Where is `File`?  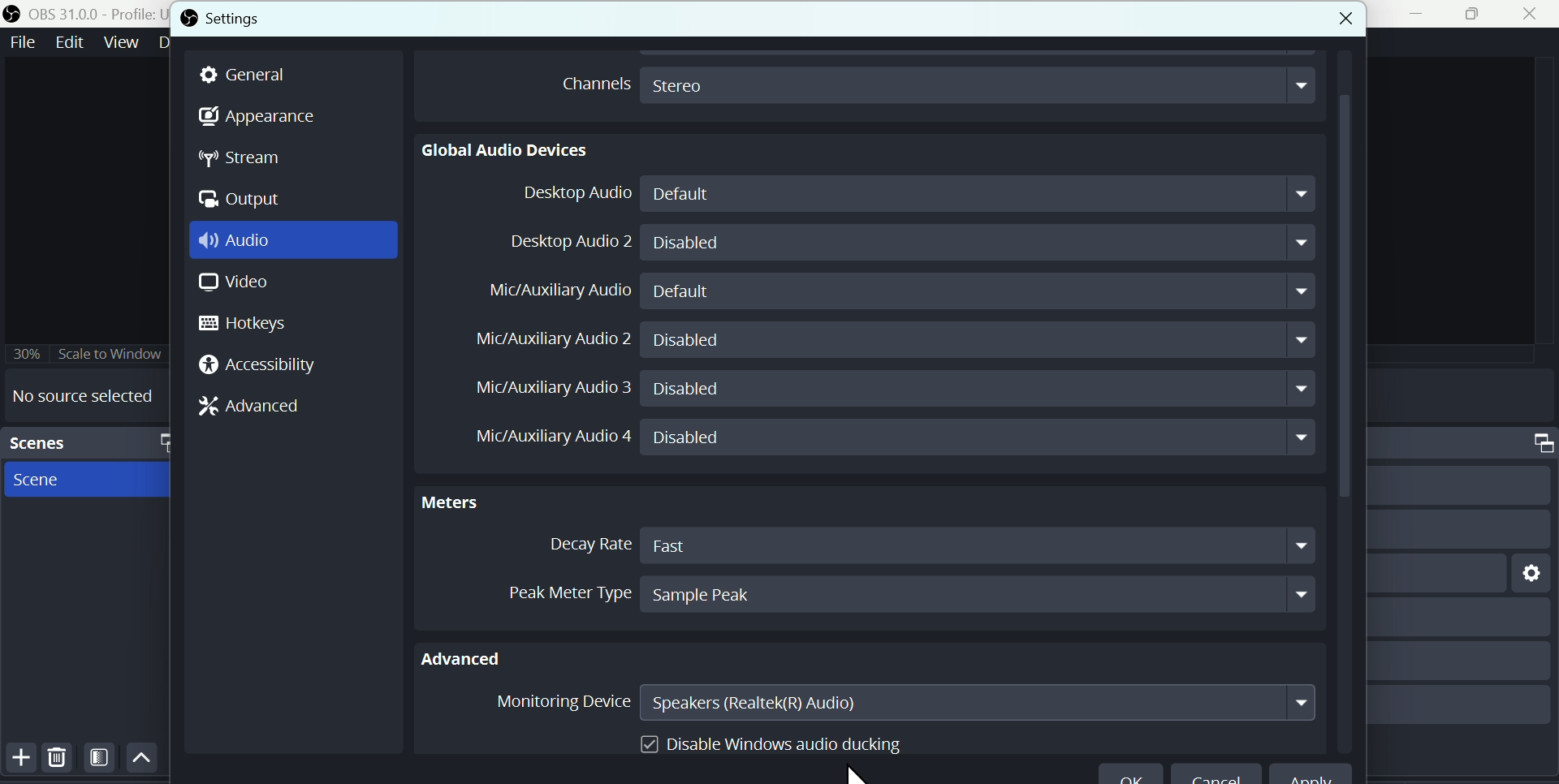 File is located at coordinates (22, 41).